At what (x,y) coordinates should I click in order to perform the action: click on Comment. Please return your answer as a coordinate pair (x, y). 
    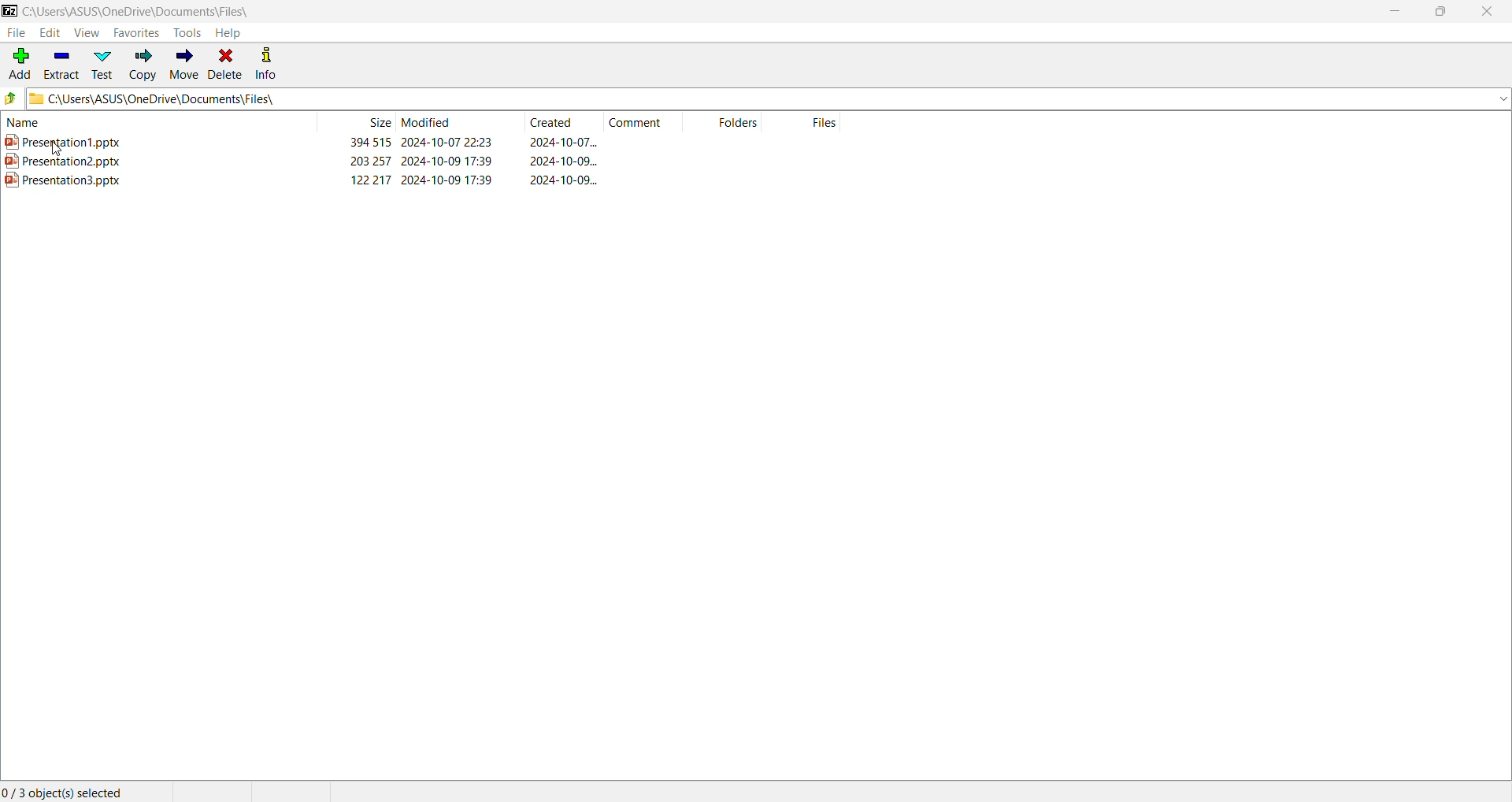
    Looking at the image, I should click on (641, 121).